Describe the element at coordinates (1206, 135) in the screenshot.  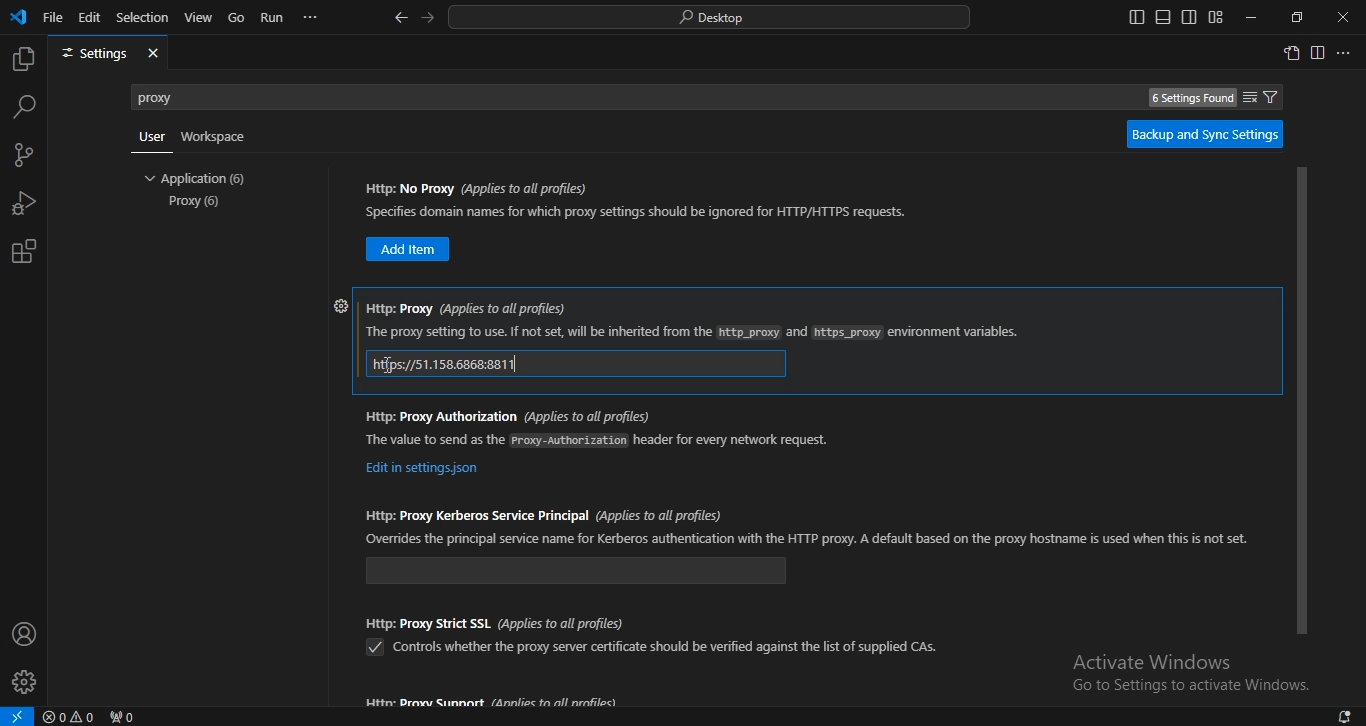
I see `backup and sync settings` at that location.